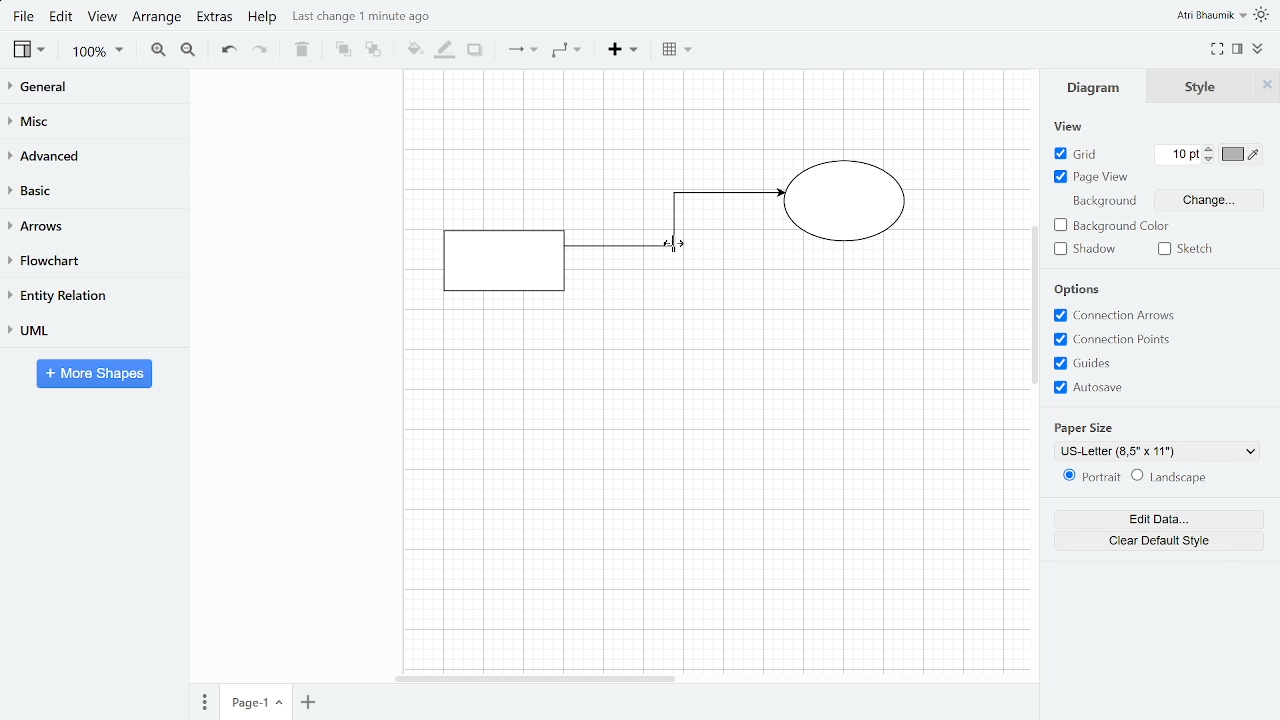 The height and width of the screenshot is (720, 1280). Describe the element at coordinates (1074, 153) in the screenshot. I see `Grid` at that location.